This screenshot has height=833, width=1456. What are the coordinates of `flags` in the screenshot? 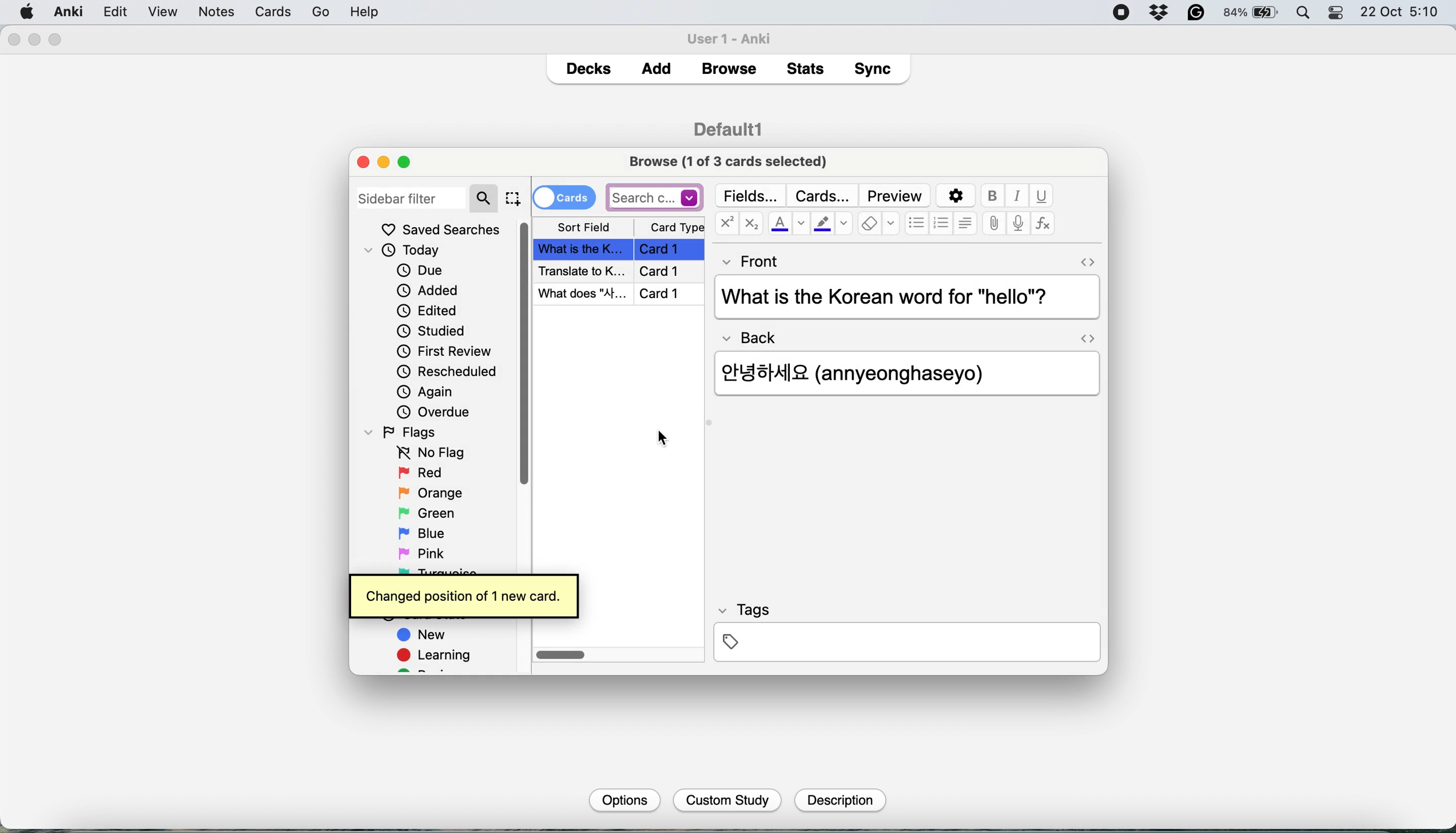 It's located at (404, 431).